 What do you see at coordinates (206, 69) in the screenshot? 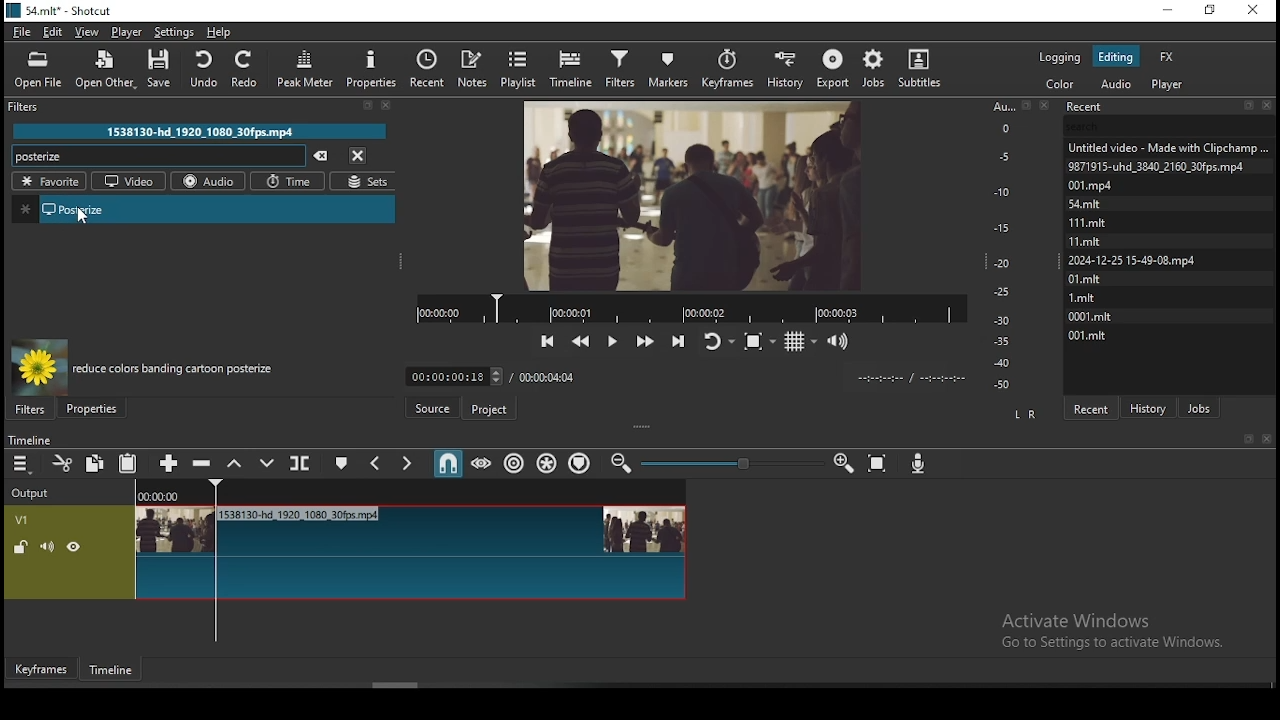
I see `undo` at bounding box center [206, 69].